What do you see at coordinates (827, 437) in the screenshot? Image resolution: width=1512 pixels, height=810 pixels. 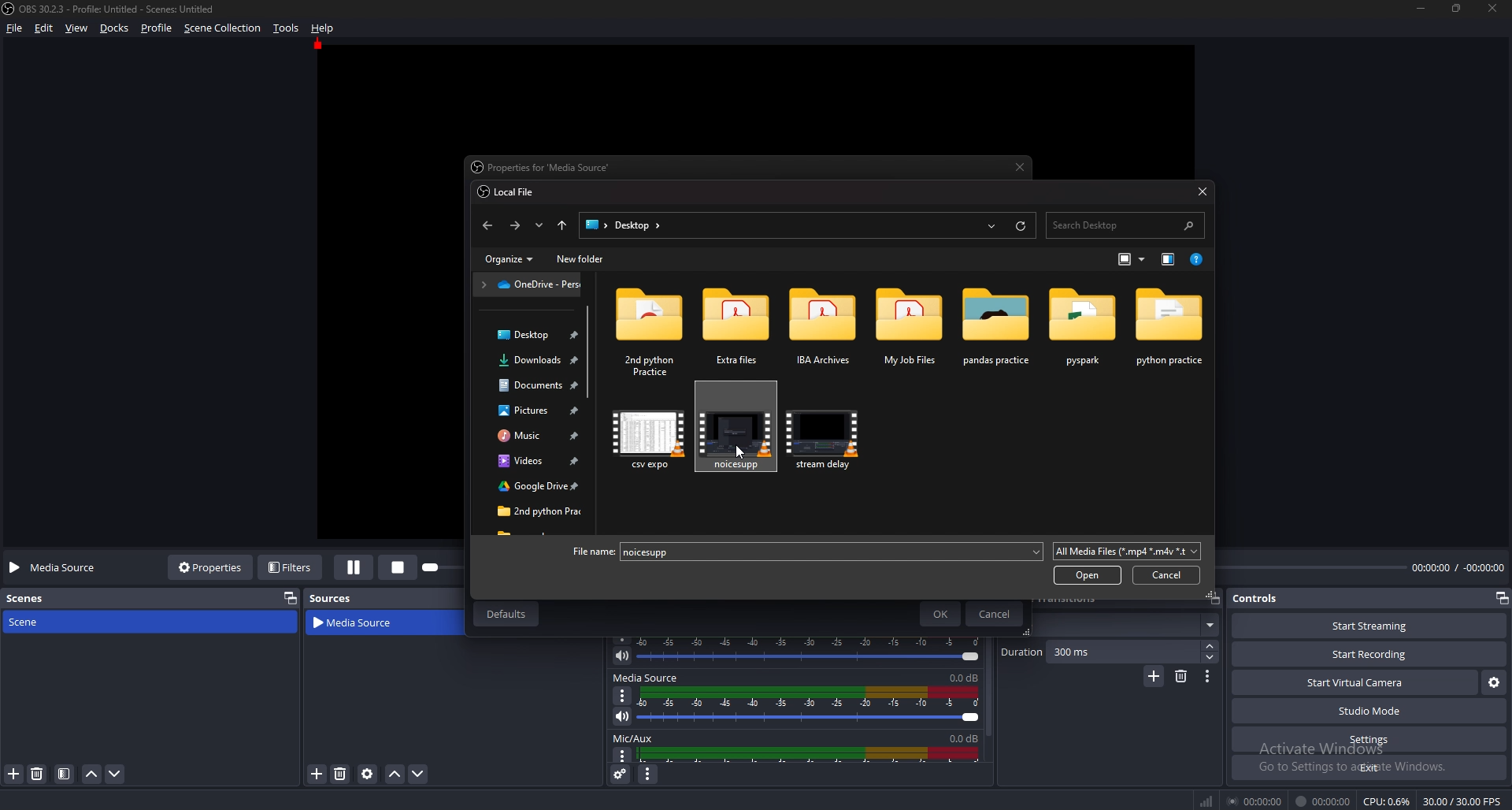 I see `video` at bounding box center [827, 437].